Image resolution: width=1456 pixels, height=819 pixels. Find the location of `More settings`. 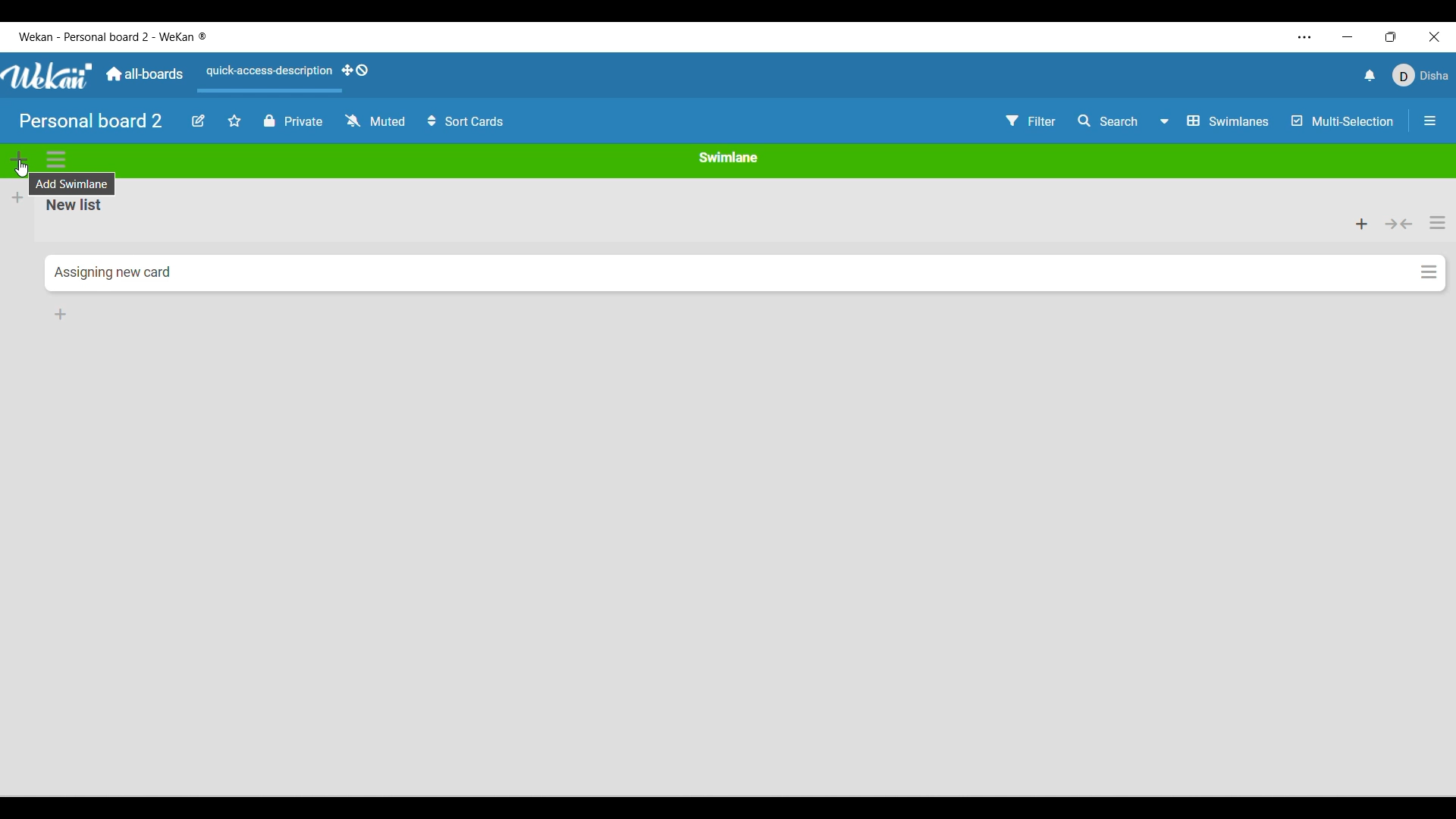

More settings is located at coordinates (1305, 37).